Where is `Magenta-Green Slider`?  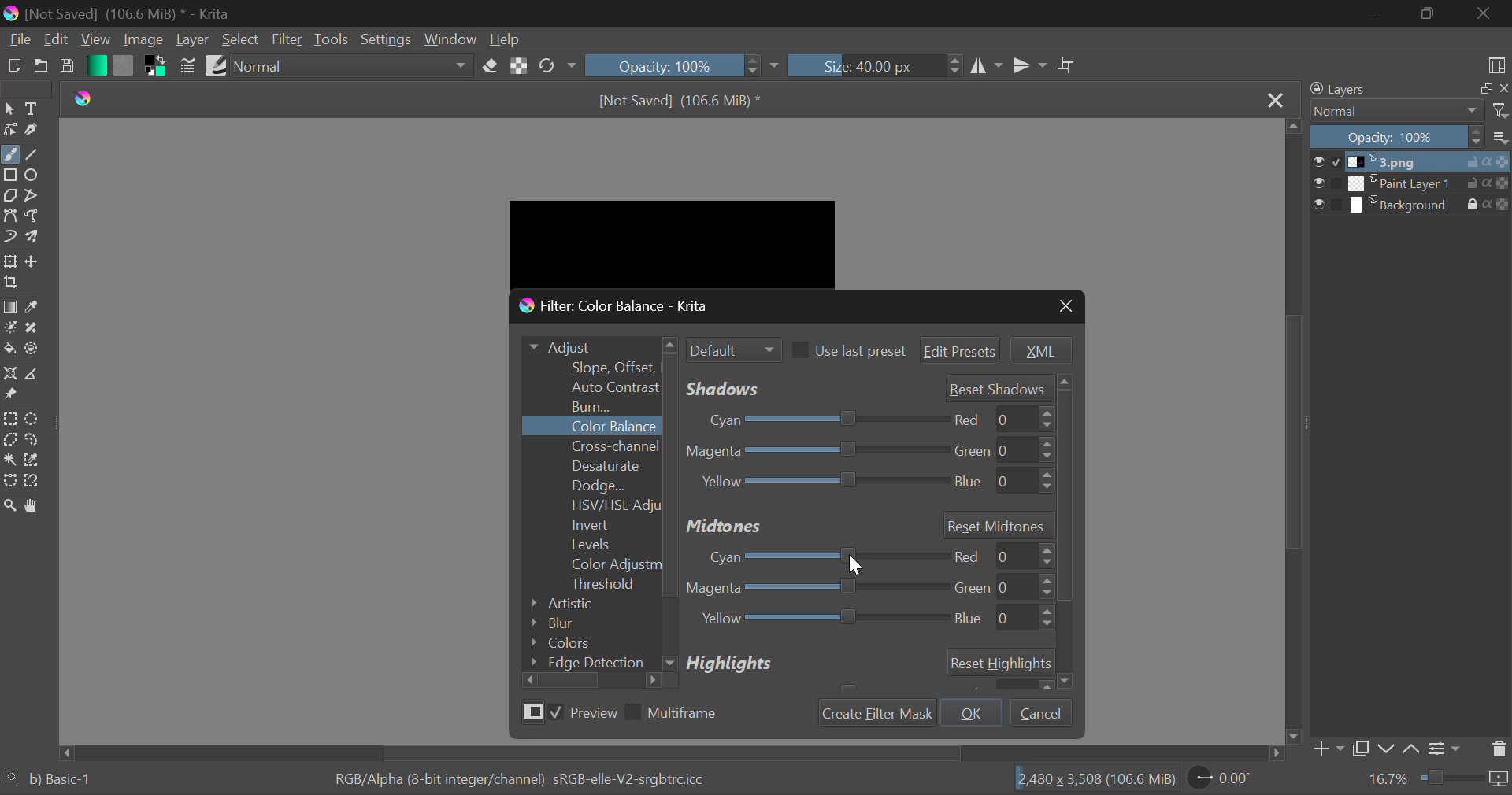 Magenta-Green Slider is located at coordinates (815, 450).